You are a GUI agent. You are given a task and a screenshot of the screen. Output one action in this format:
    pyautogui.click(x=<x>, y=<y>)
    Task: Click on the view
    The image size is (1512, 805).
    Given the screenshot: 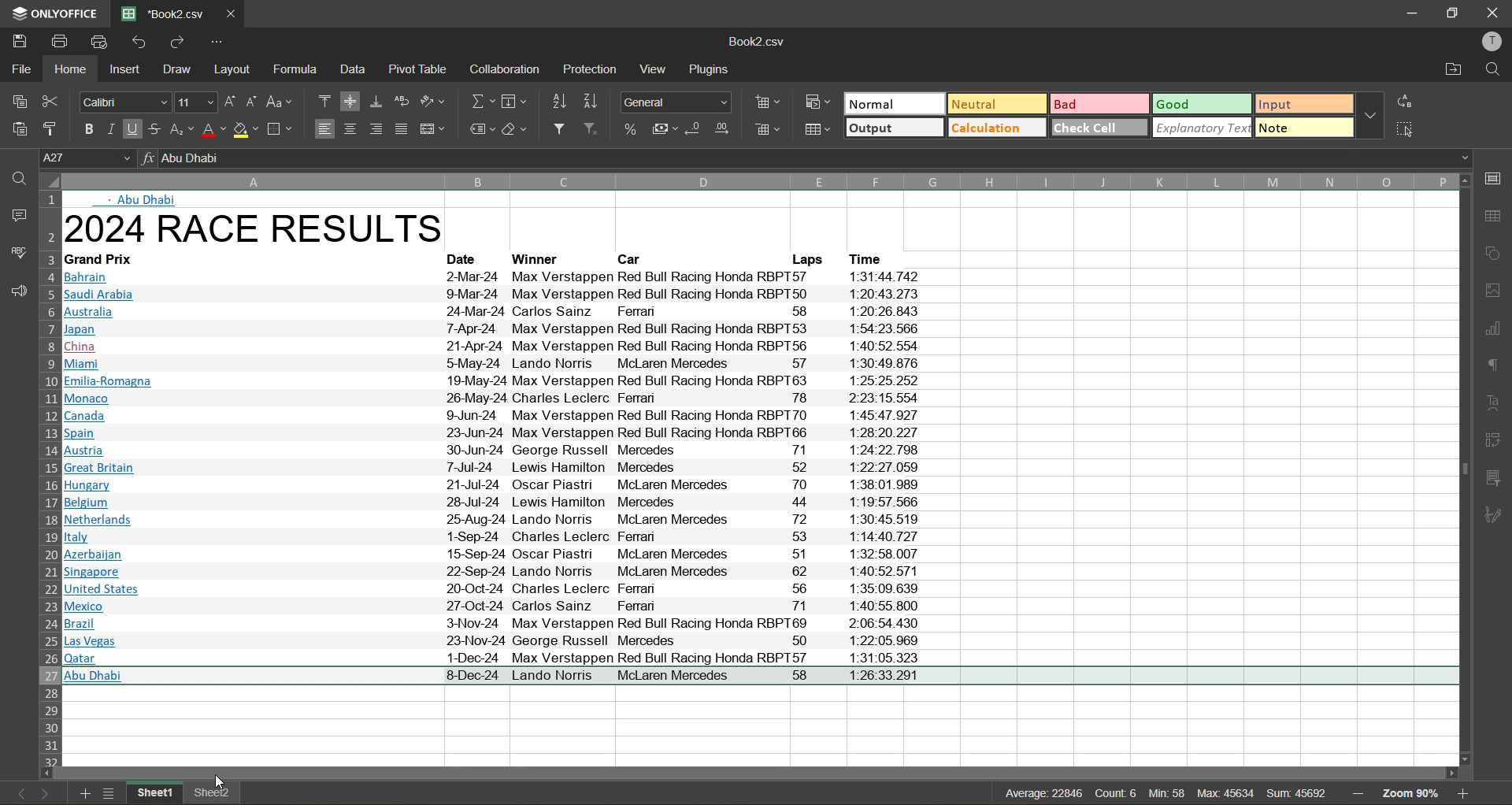 What is the action you would take?
    pyautogui.click(x=653, y=70)
    